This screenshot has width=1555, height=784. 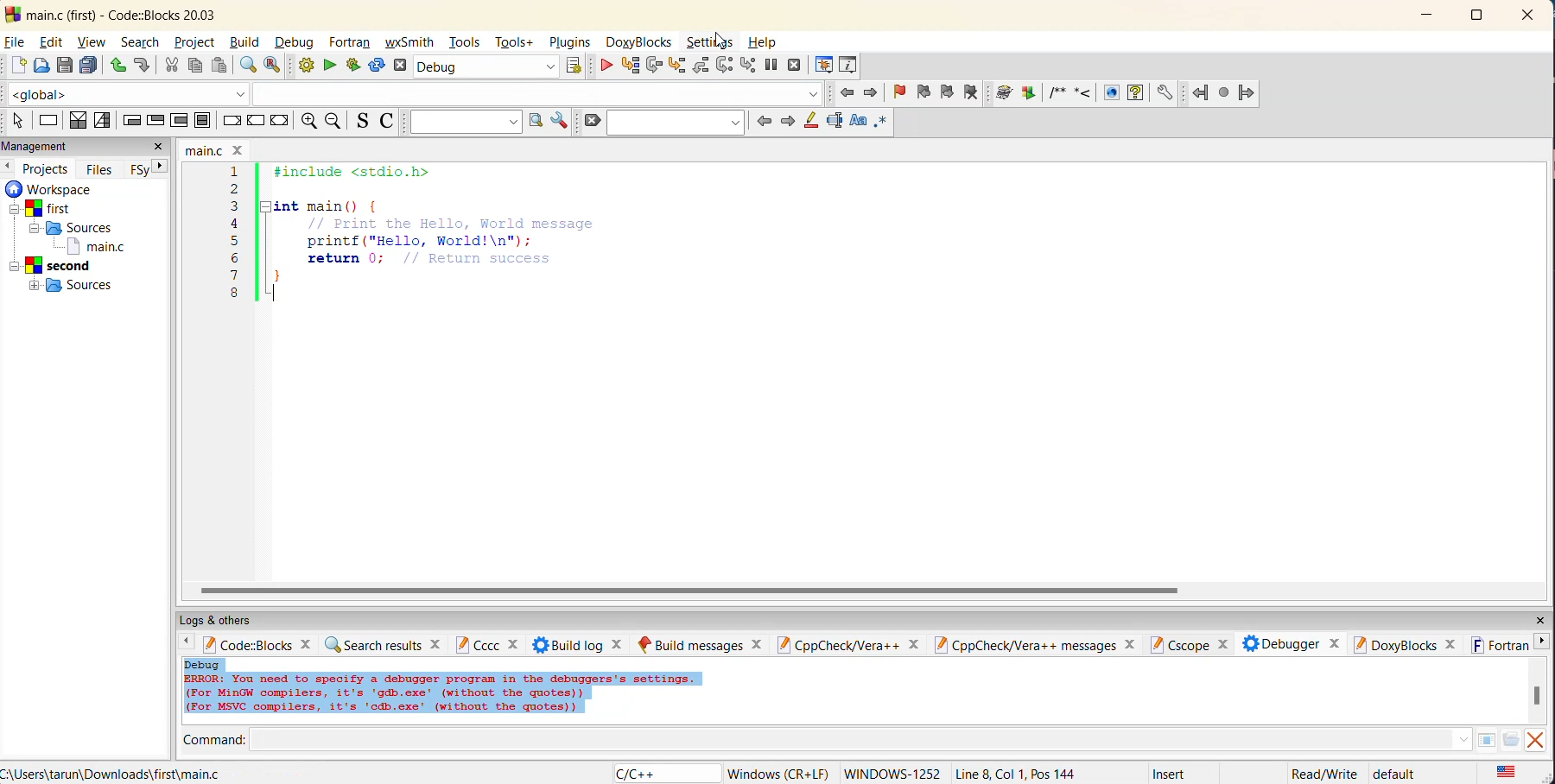 What do you see at coordinates (844, 94) in the screenshot?
I see `jump back` at bounding box center [844, 94].